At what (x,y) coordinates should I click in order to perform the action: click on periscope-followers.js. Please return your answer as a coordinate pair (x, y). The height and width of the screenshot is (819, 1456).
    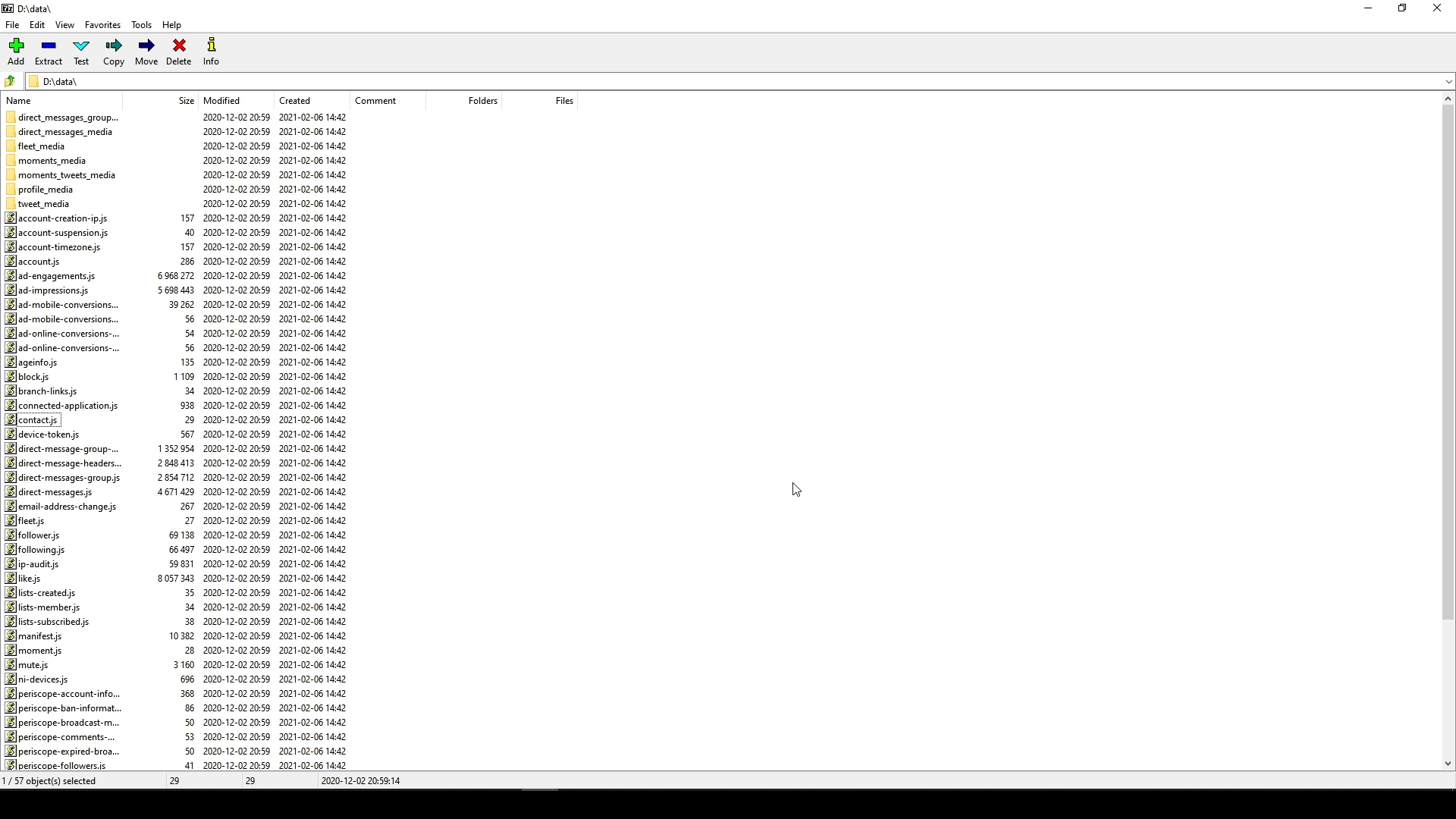
    Looking at the image, I should click on (58, 765).